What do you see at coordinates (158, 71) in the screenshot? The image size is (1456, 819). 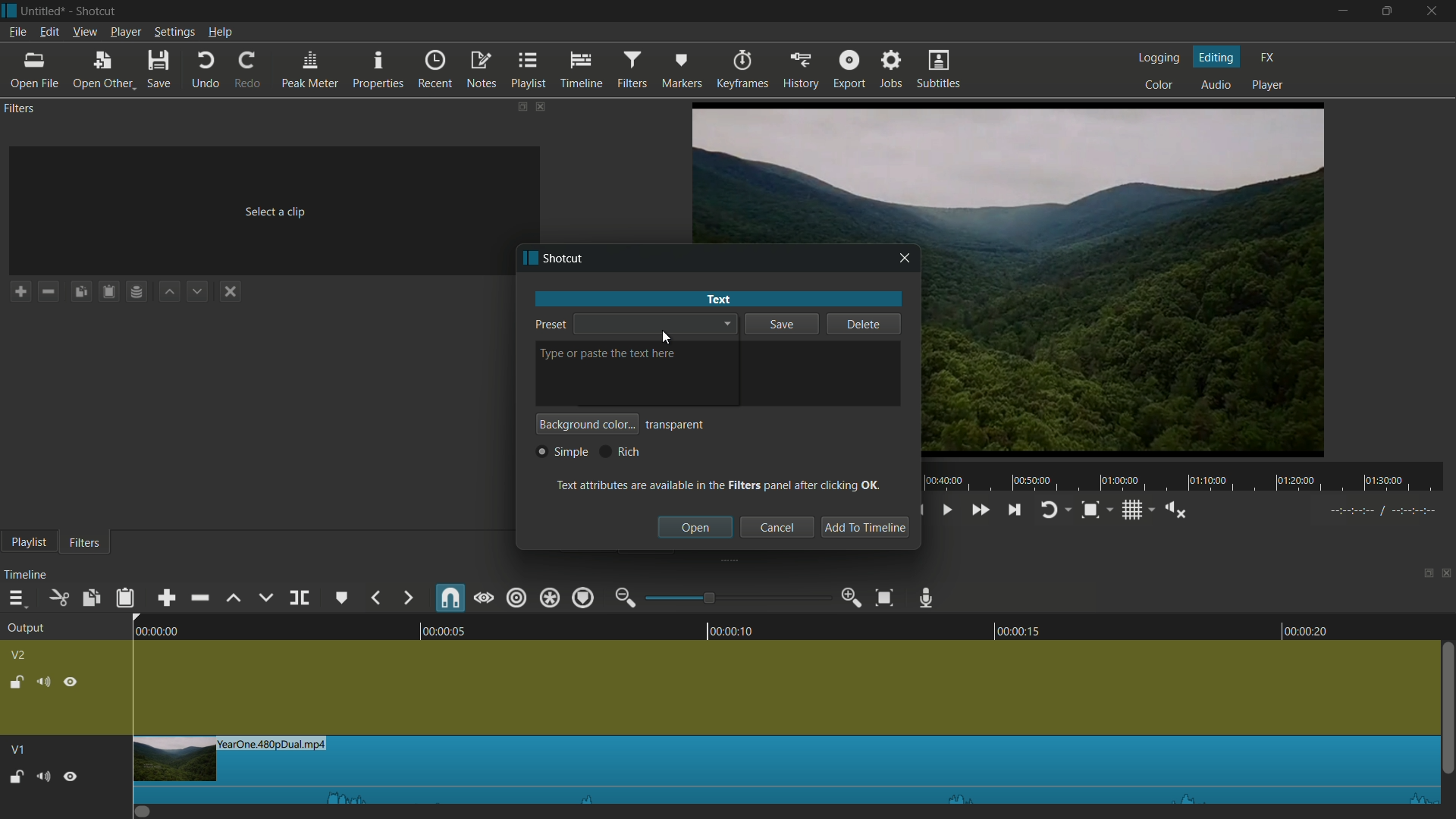 I see `save` at bounding box center [158, 71].